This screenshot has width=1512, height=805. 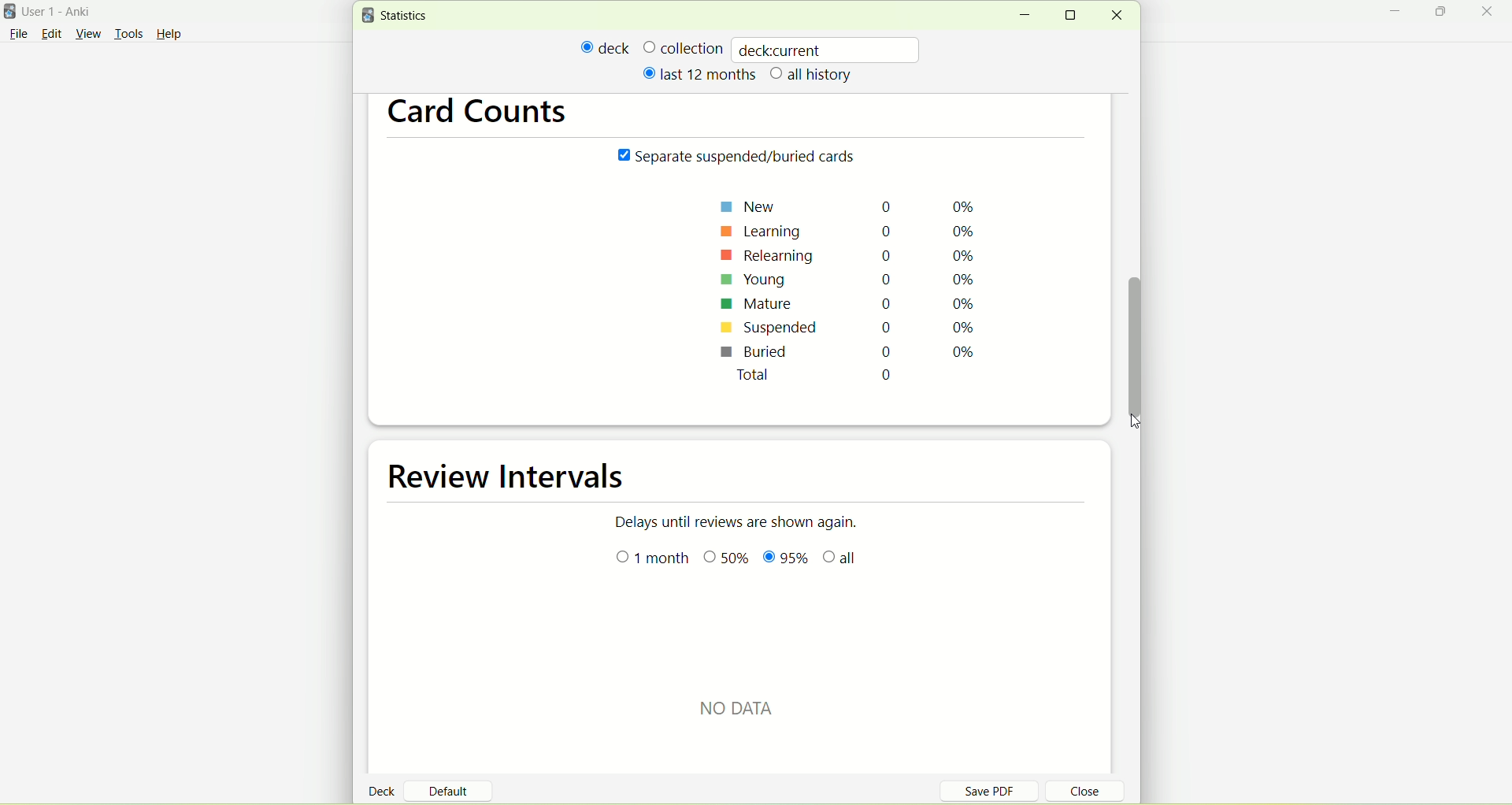 What do you see at coordinates (865, 379) in the screenshot?
I see `total 0 0%` at bounding box center [865, 379].